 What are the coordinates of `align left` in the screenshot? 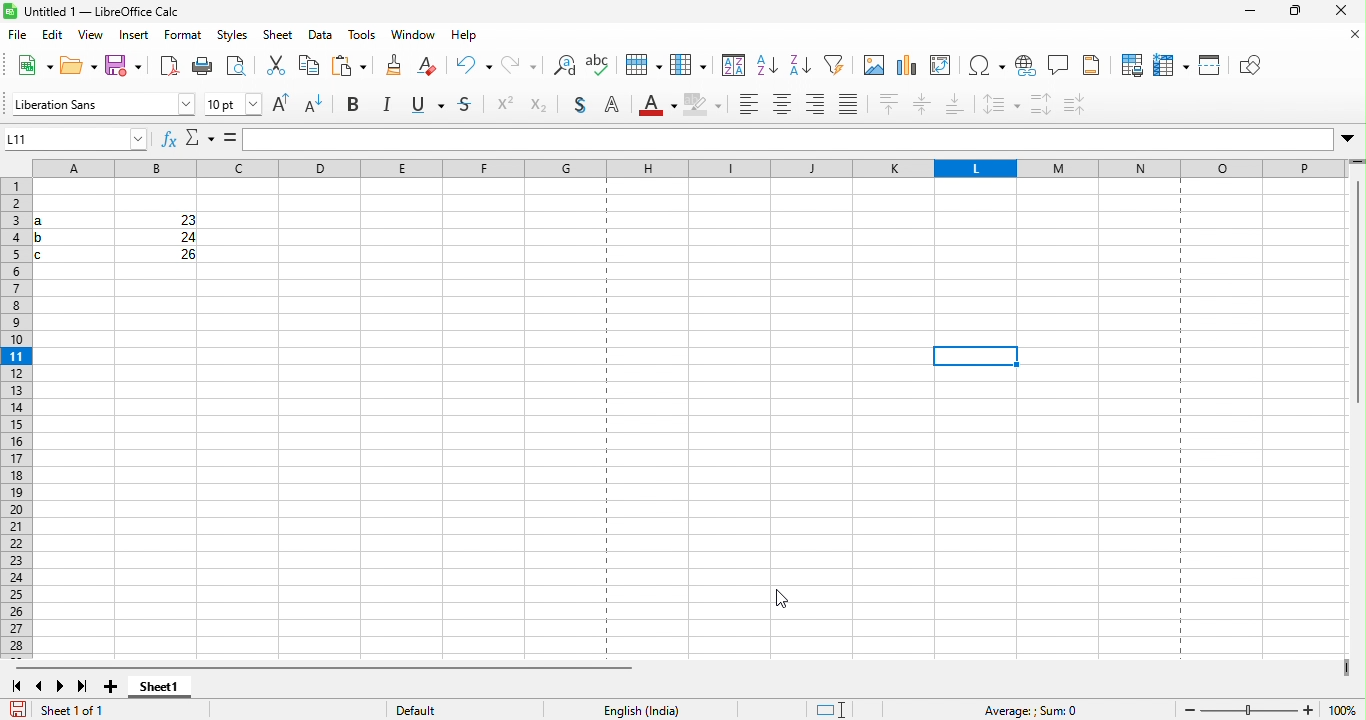 It's located at (748, 106).